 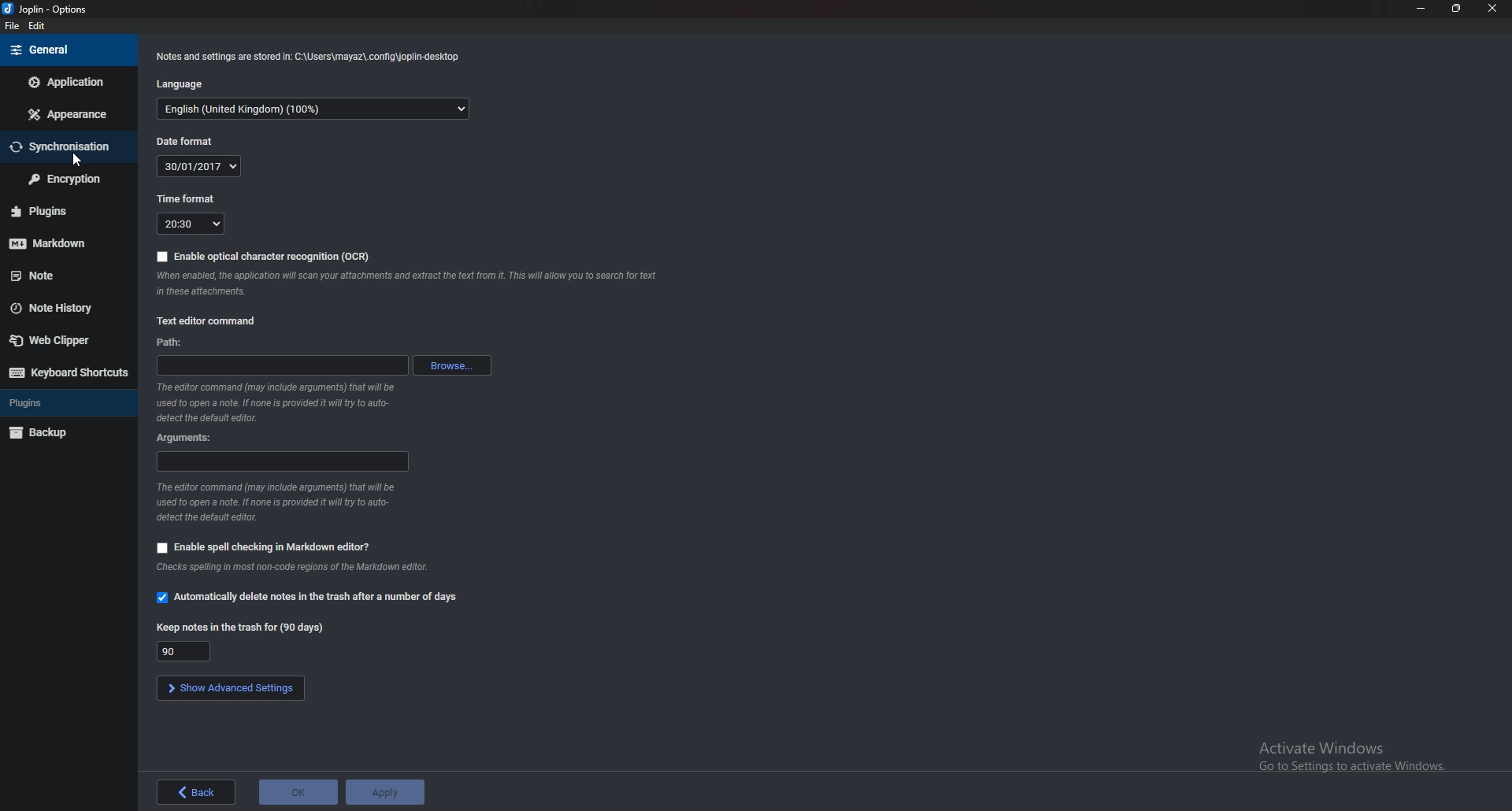 I want to click on Activate Windows, so click(x=1345, y=754).